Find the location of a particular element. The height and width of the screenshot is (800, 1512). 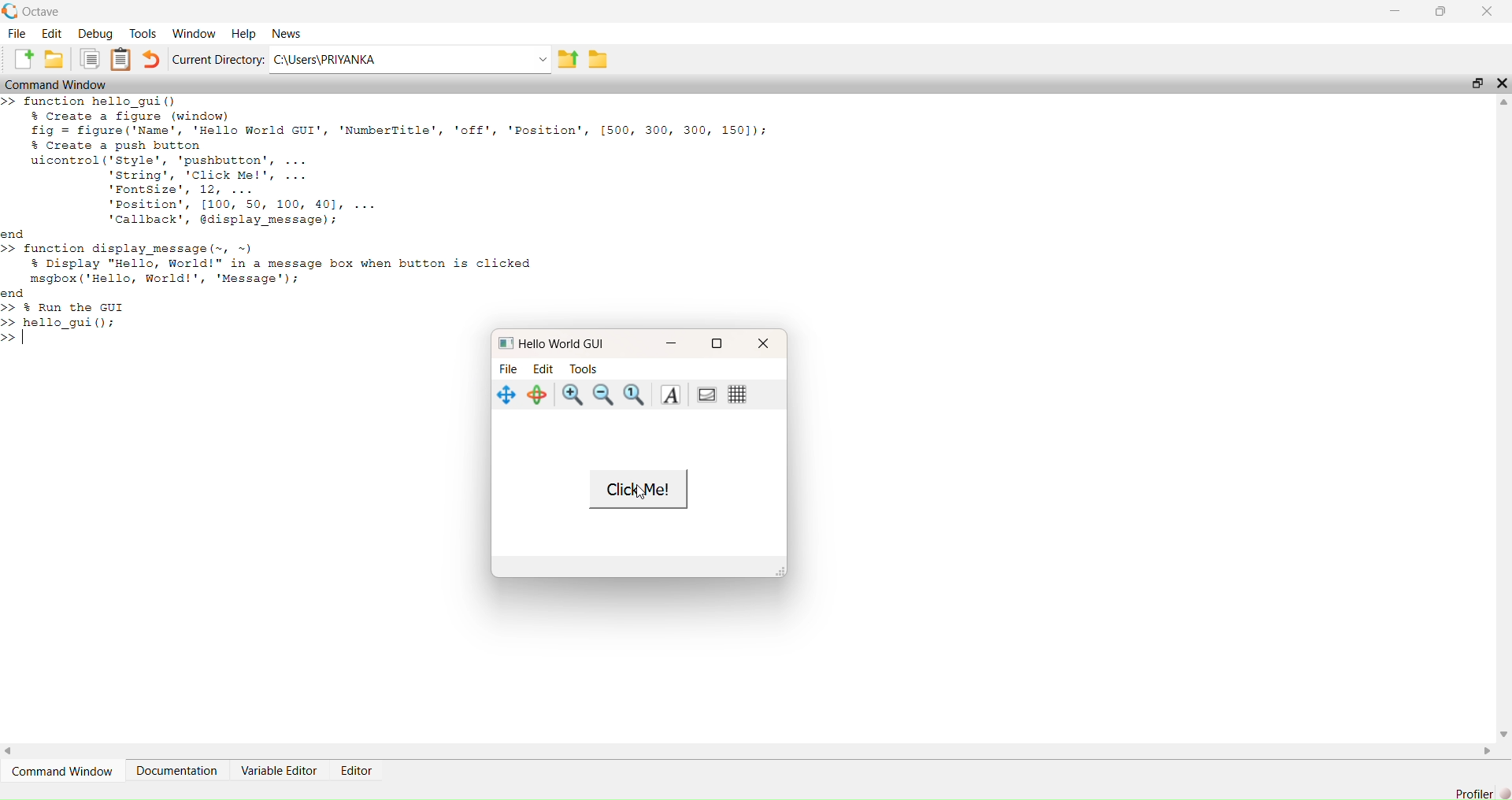

EE  —
> function hello_gui()
$ Create a figure (window)
fig = figure ('Name', 'Hello World GUI', 'NumberTitle', 'off', 'Position', [500, 300, 300, 1501);
$ Create a push button
uicontrol('style', 'pushbutton', ...
string’, 'Click Me!', ...
'Fontsize', 12, ...
'Position’, [100, 50, 100, 401, ...
callback’, display message);
nd
> function display message (~, ~)
$ Display "Hello, World!" in a message box when button is clicked
msgbox ('Hello, World!', 'Message');
nd
> % Run the GUI
> hello guil(): is located at coordinates (383, 213).